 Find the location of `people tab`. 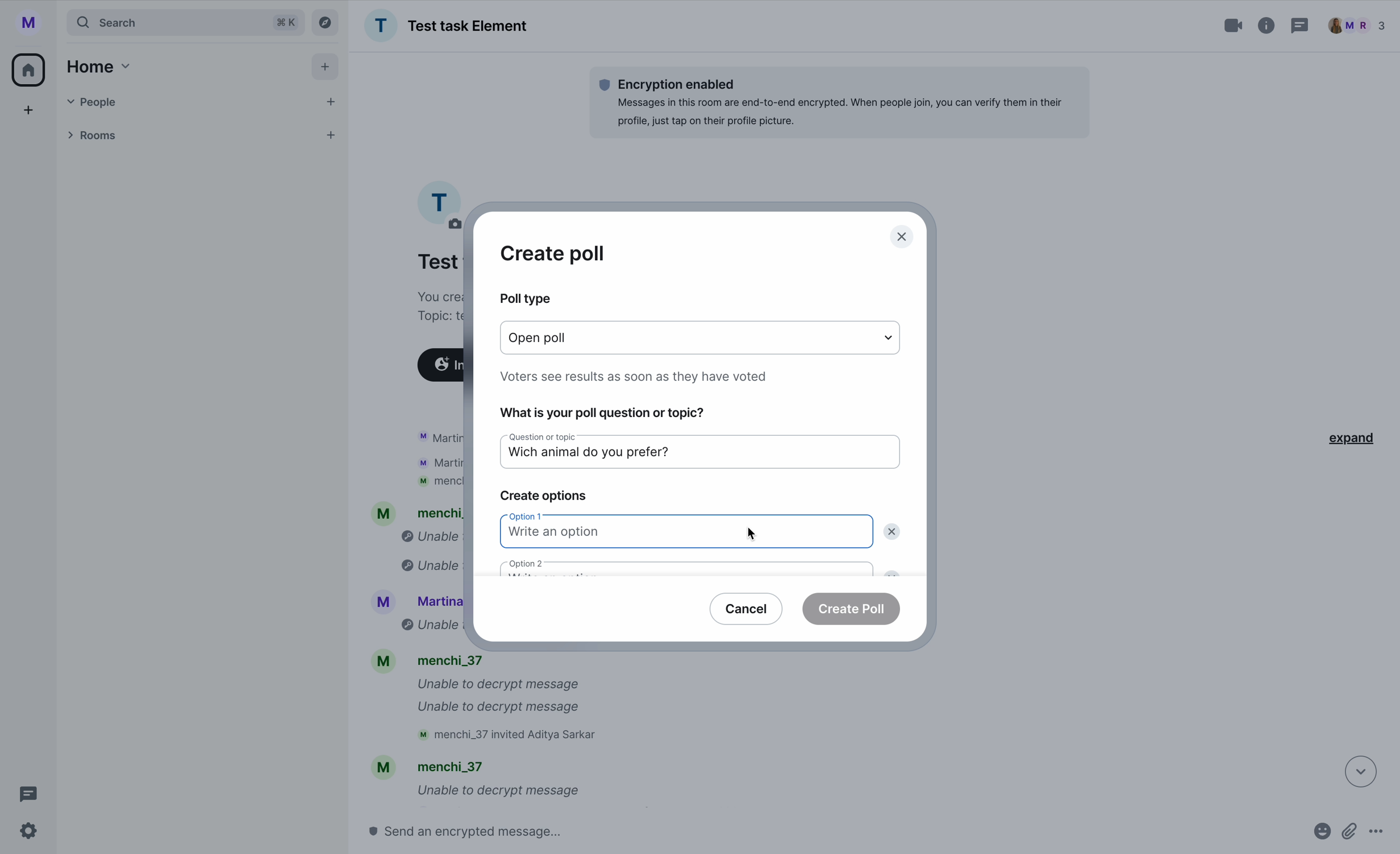

people tab is located at coordinates (203, 102).